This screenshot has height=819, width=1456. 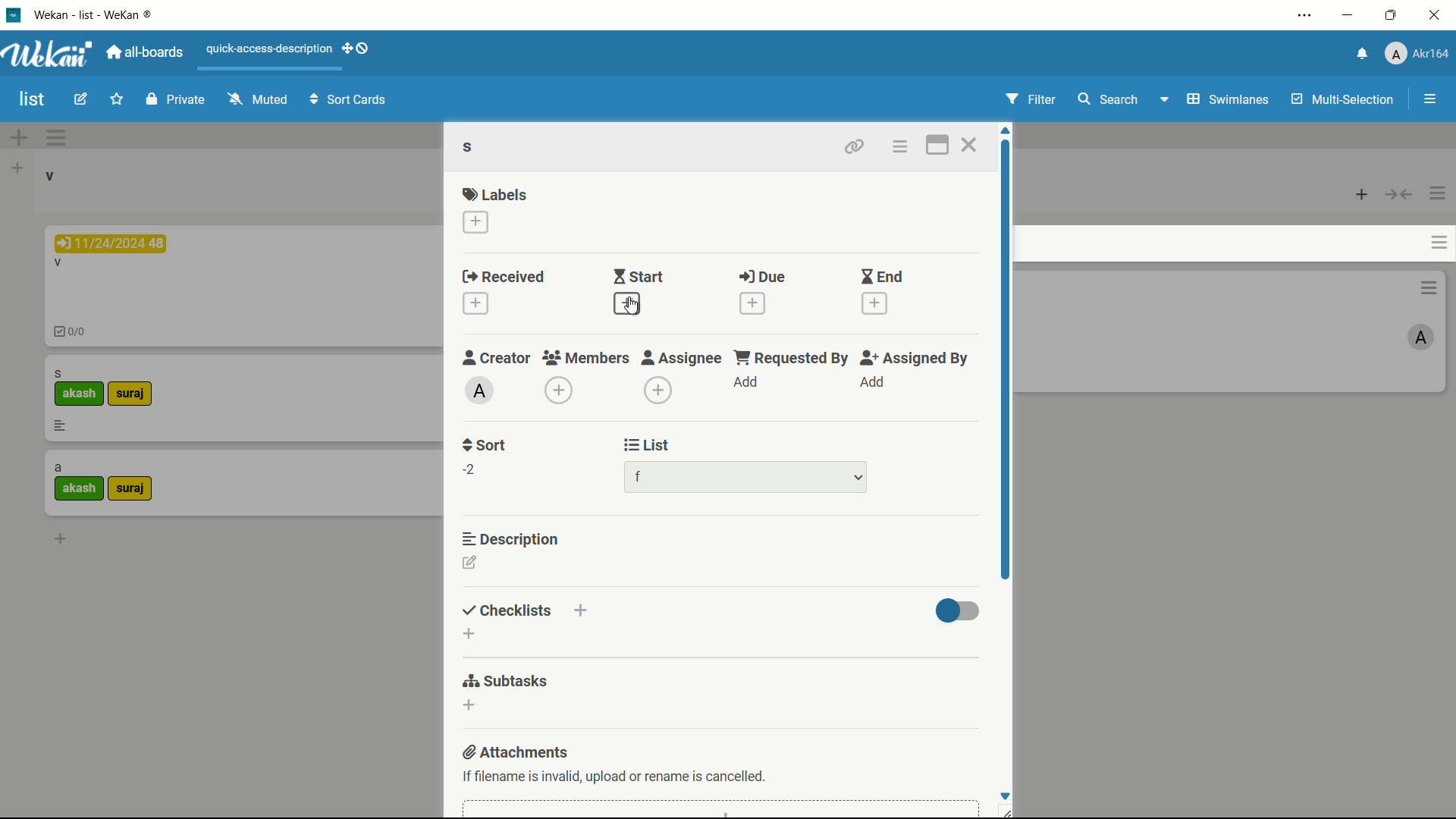 What do you see at coordinates (58, 373) in the screenshot?
I see `card name` at bounding box center [58, 373].